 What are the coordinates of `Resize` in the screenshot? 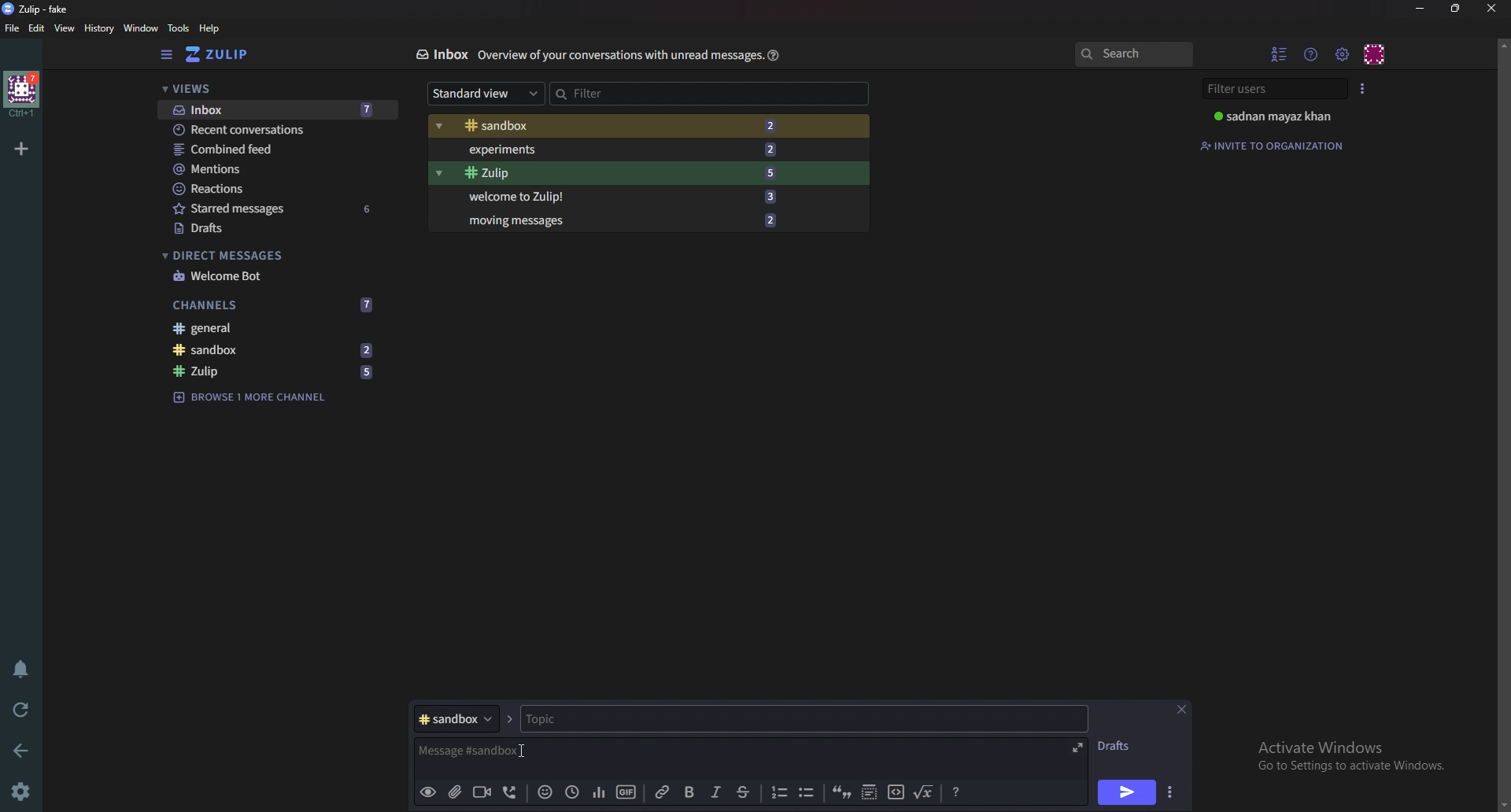 It's located at (1456, 9).